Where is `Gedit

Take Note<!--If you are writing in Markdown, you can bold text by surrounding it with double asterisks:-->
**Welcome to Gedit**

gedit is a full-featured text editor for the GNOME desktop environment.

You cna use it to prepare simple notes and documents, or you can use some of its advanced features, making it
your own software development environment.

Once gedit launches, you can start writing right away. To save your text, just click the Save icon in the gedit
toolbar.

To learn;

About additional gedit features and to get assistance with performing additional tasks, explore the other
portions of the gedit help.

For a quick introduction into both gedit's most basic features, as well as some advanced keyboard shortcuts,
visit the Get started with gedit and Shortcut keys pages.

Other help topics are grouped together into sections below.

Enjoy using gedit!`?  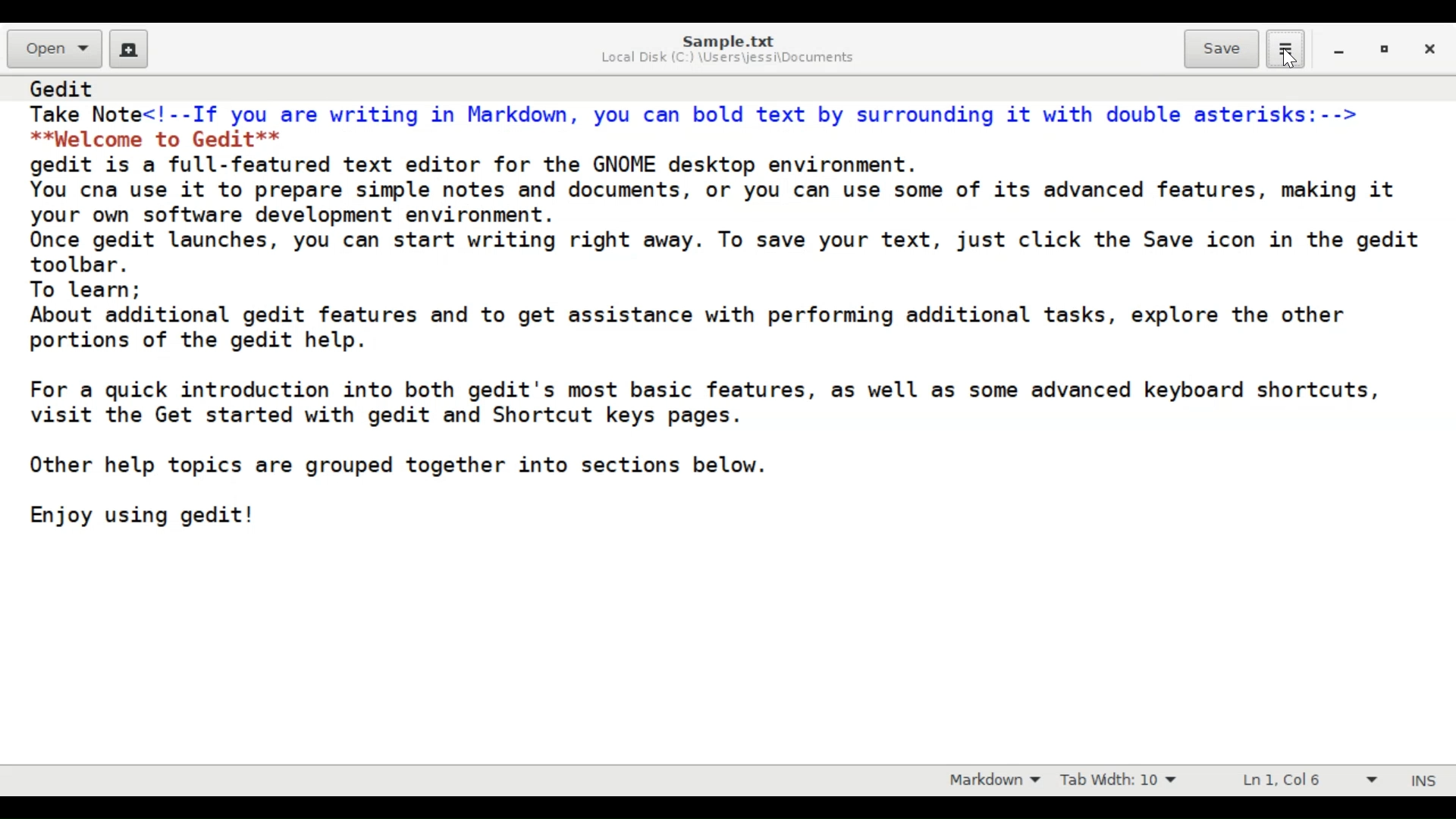
Gedit

Take Note<!--If you are writing in Markdown, you can bold text by surrounding it with double asterisks:-->
**Welcome to Gedit**

gedit is a full-featured text editor for the GNOME desktop environment.

You cna use it to prepare simple notes and documents, or you can use some of its advanced features, making it
your own software development environment.

Once gedit launches, you can start writing right away. To save your text, just click the Save icon in the gedit
toolbar.

To learn;

About additional gedit features and to get assistance with performing additional tasks, explore the other
portions of the gedit help.

For a quick introduction into both gedit's most basic features, as well as some advanced keyboard shortcuts,
visit the Get started with gedit and Shortcut keys pages.

Other help topics are grouped together into sections below.

Enjoy using gedit! is located at coordinates (728, 309).